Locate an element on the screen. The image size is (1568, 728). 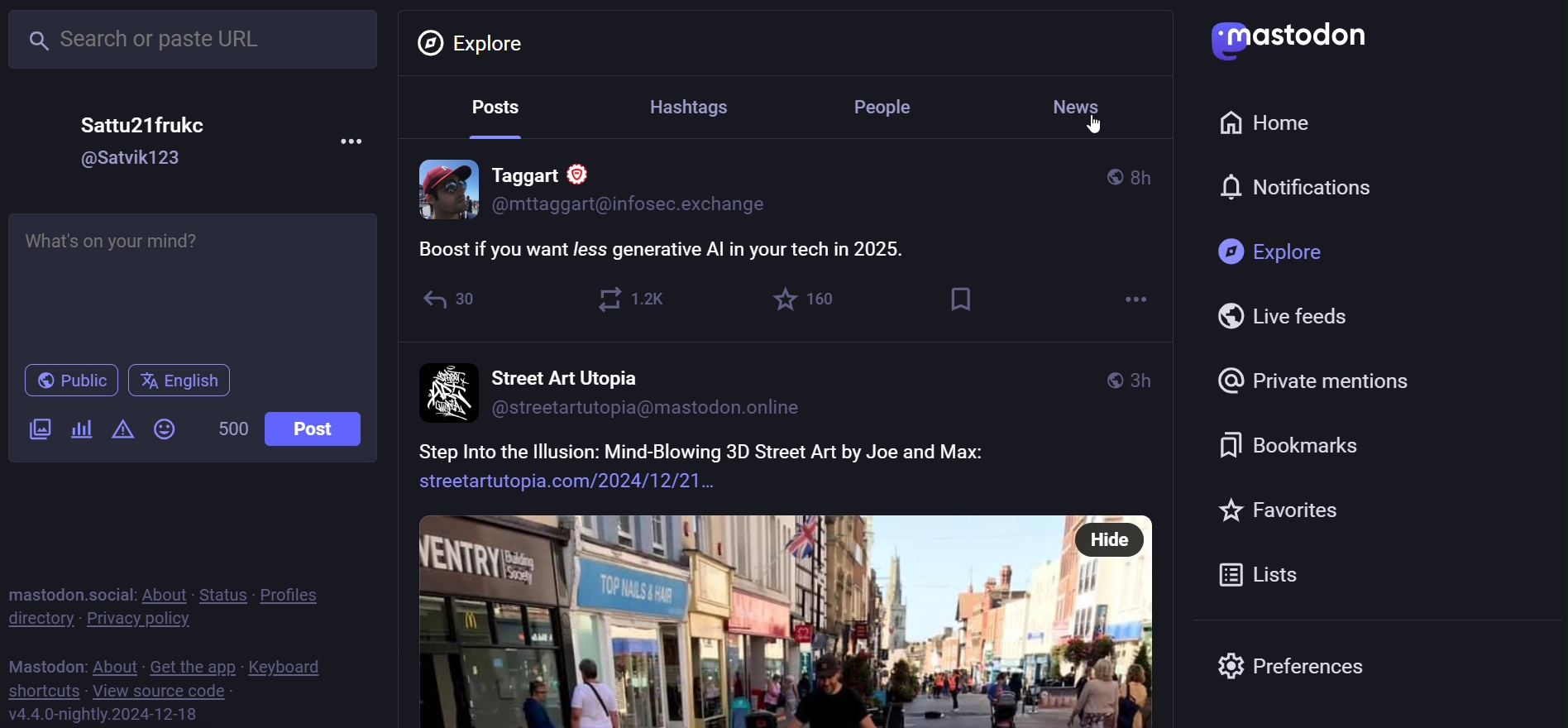
notification is located at coordinates (1297, 186).